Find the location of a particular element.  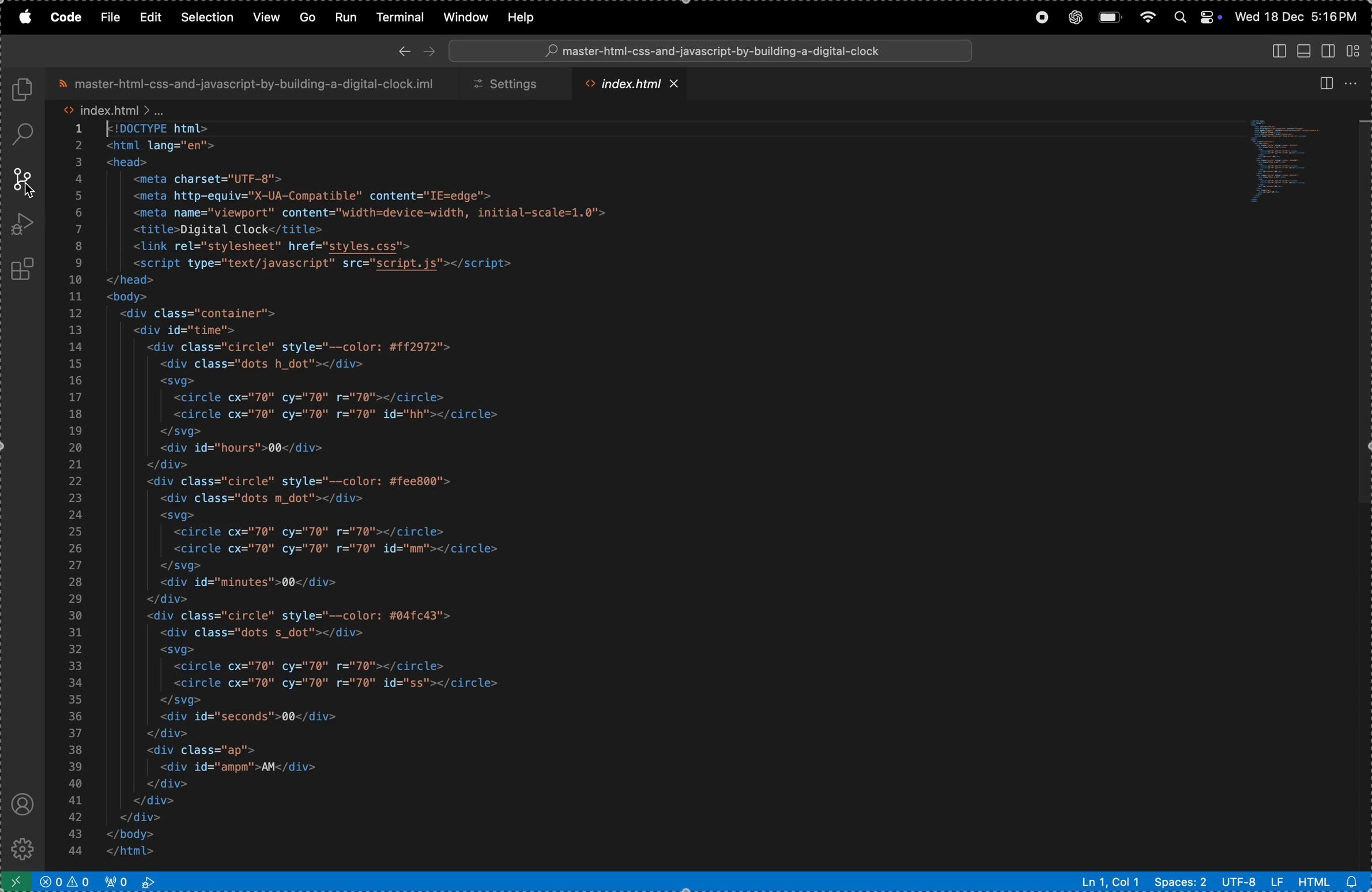

slection is located at coordinates (209, 16).